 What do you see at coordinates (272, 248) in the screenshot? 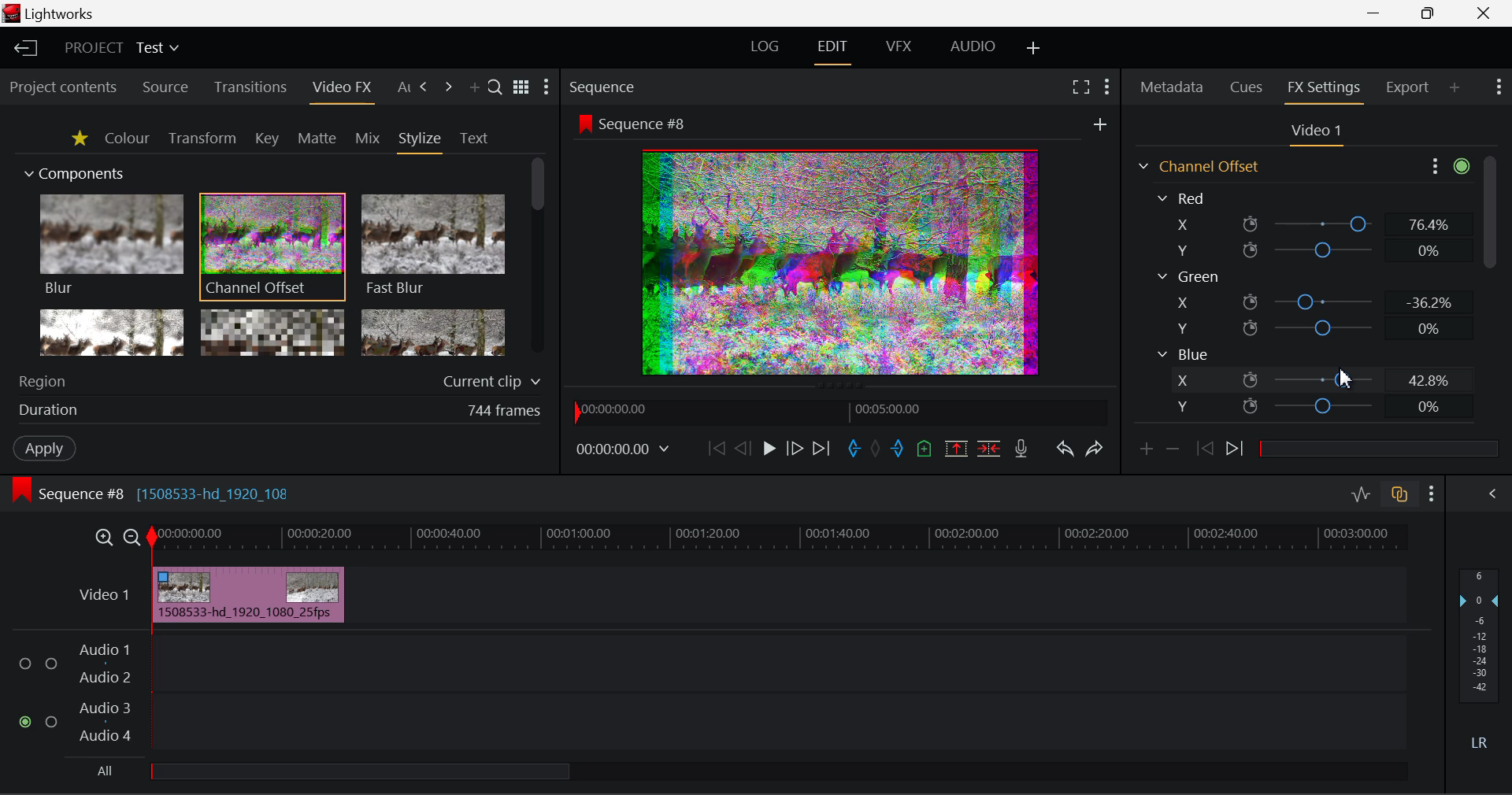
I see `Channel Offset` at bounding box center [272, 248].